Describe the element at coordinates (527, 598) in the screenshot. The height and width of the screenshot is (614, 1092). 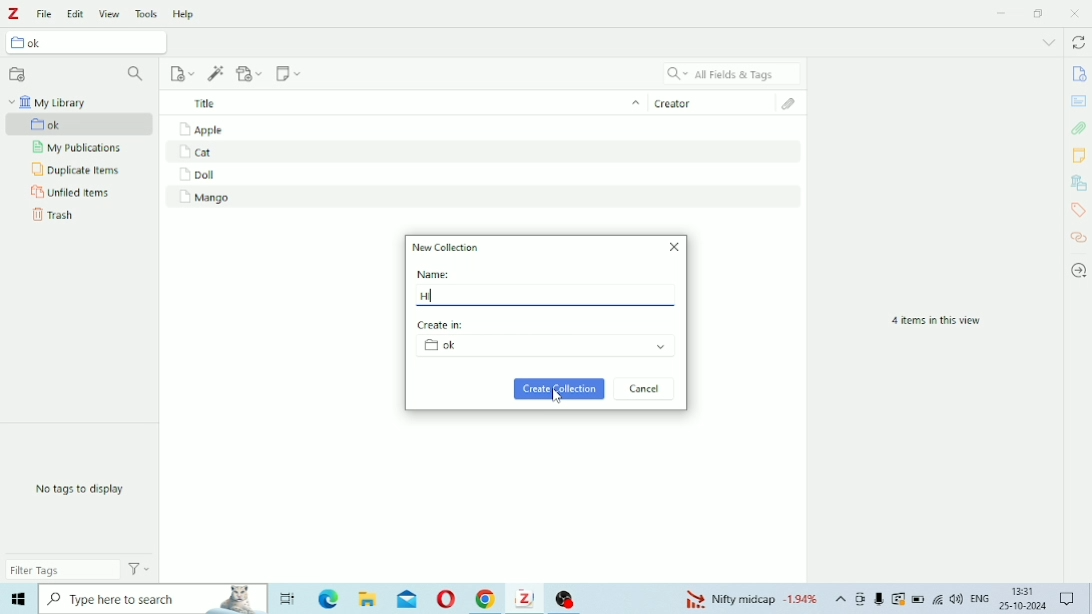
I see `Zotero` at that location.